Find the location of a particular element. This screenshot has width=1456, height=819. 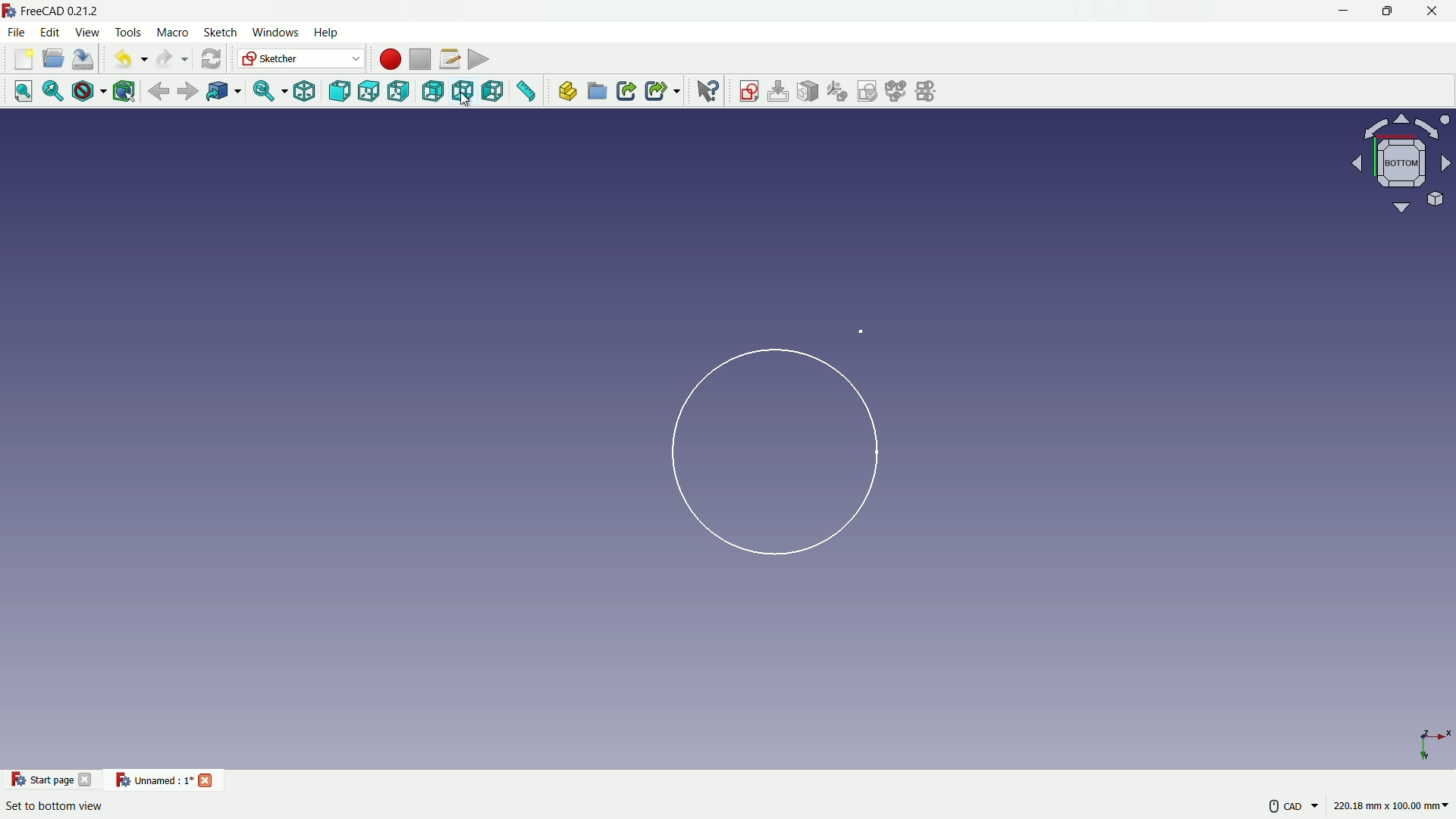

start macro is located at coordinates (387, 58).